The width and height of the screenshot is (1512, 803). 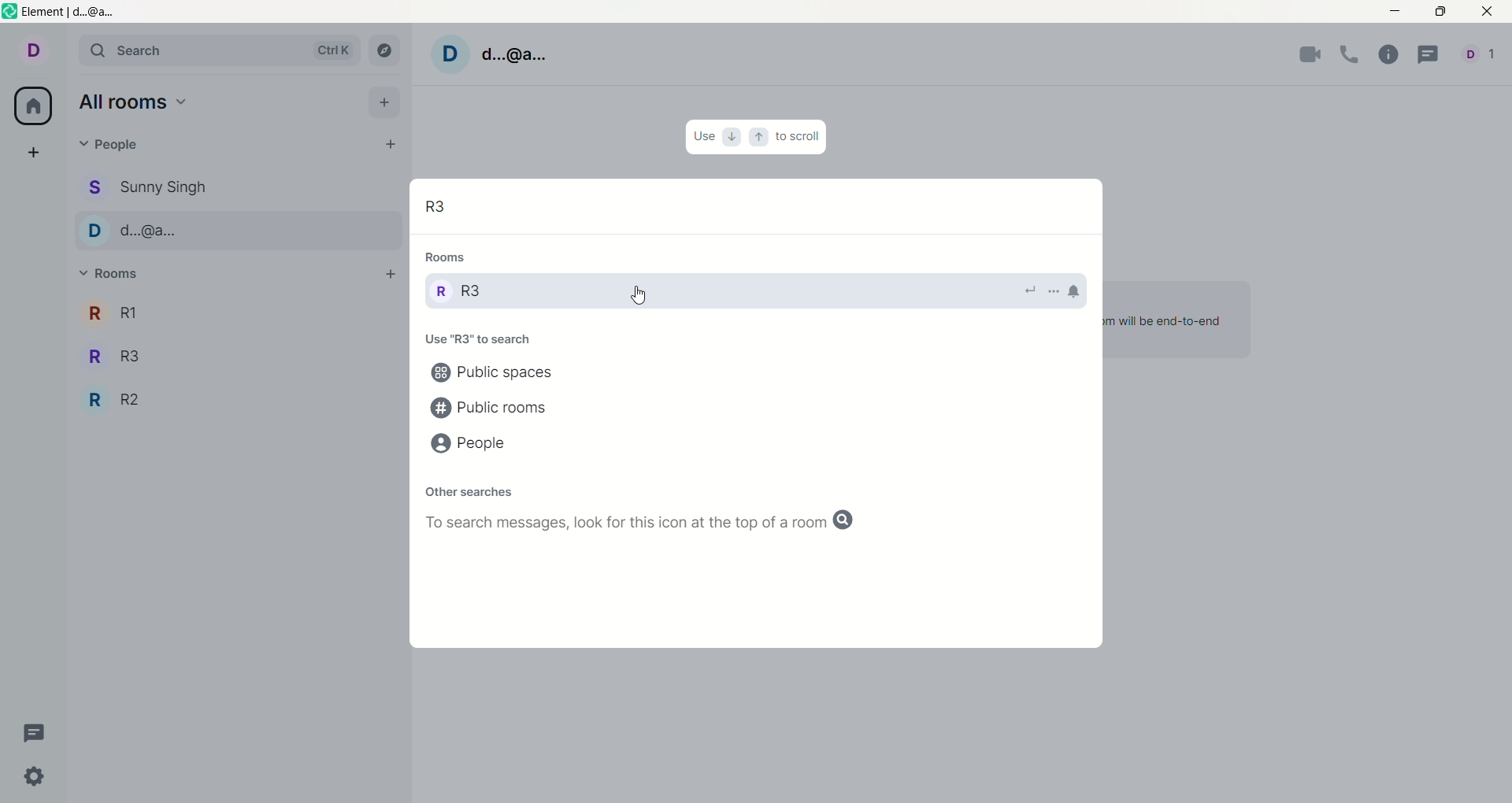 I want to click on notification, so click(x=1077, y=288).